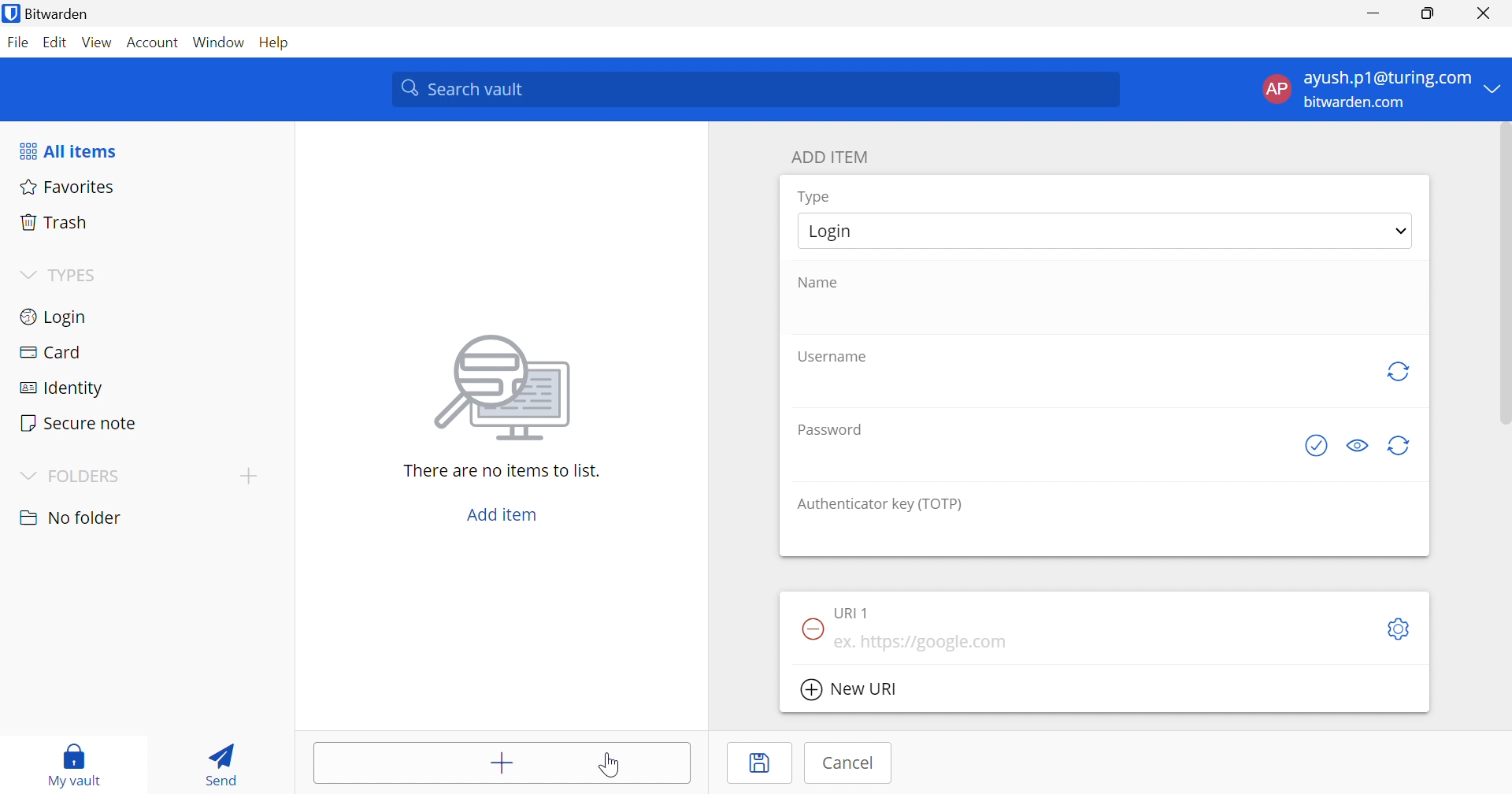 This screenshot has height=794, width=1512. What do you see at coordinates (821, 284) in the screenshot?
I see `Name` at bounding box center [821, 284].